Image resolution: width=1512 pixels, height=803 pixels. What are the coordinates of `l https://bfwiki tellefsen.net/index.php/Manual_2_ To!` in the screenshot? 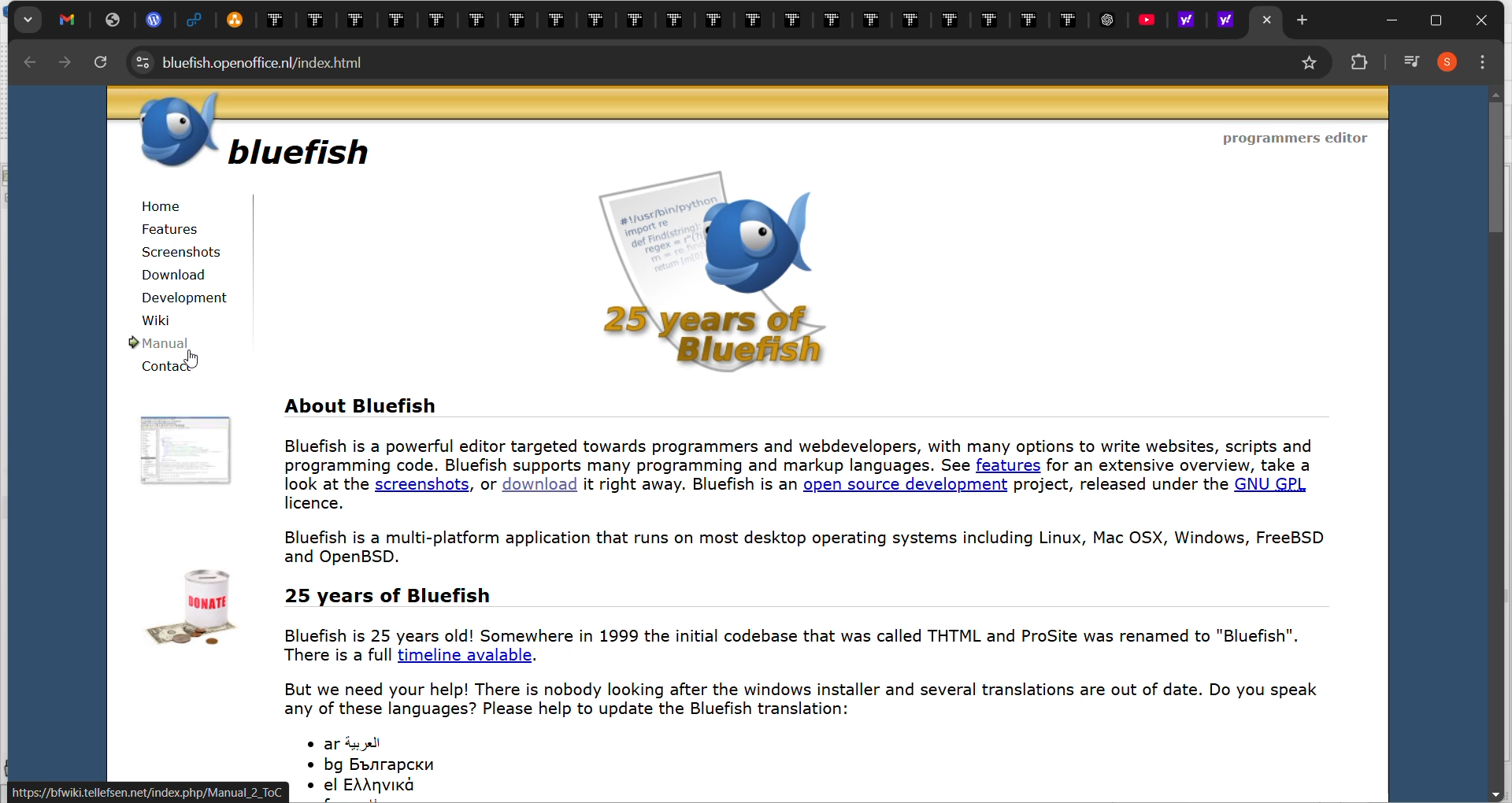 It's located at (139, 790).